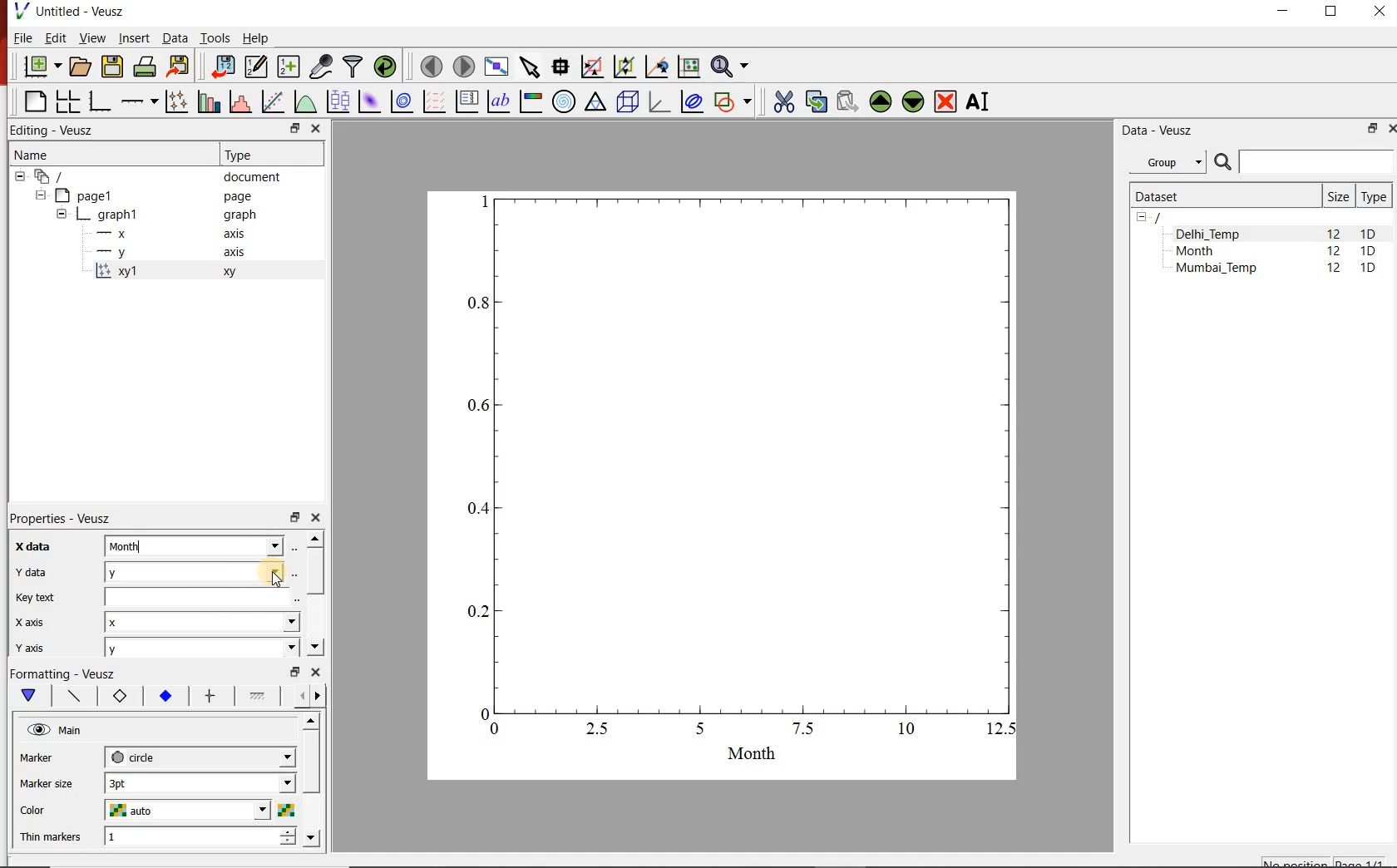 This screenshot has width=1397, height=868. Describe the element at coordinates (1368, 252) in the screenshot. I see `1D` at that location.